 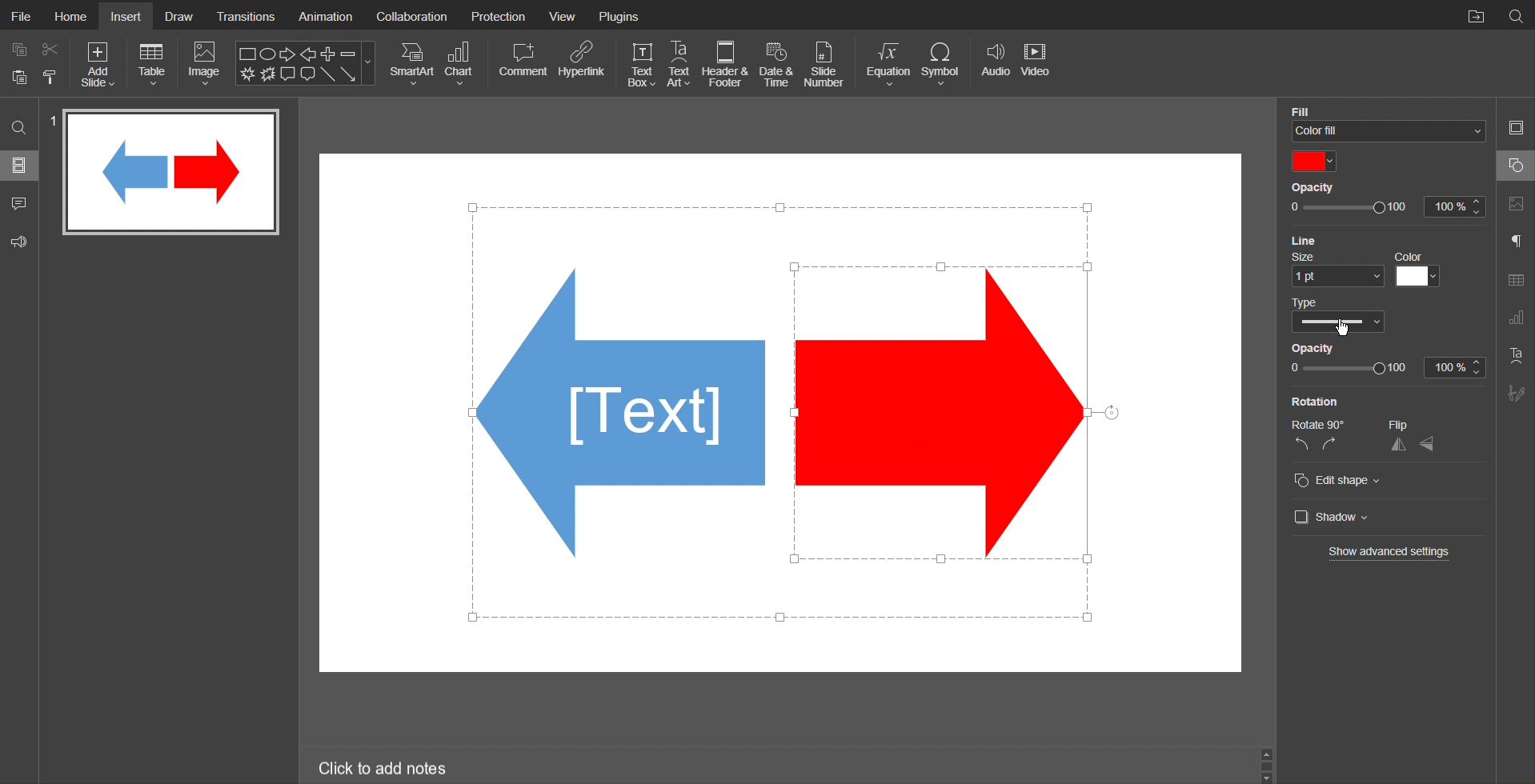 I want to click on slide number, so click(x=51, y=123).